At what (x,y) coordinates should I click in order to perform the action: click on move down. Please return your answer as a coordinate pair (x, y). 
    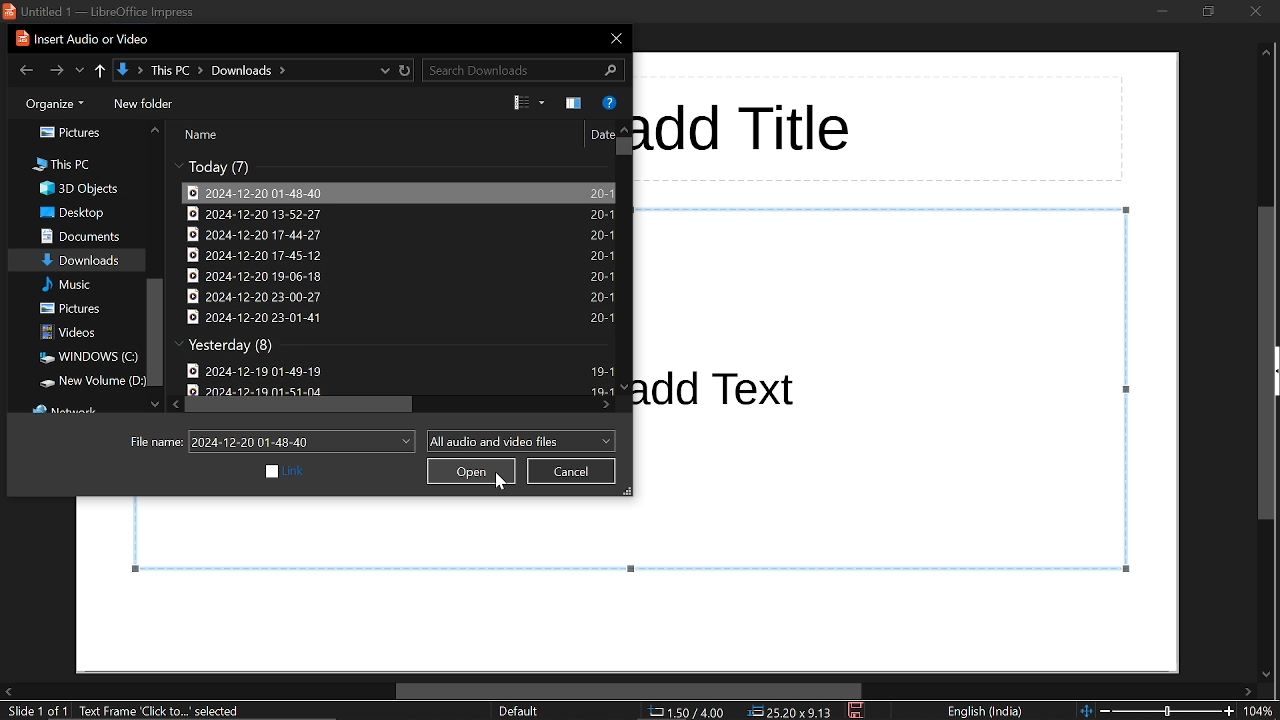
    Looking at the image, I should click on (155, 402).